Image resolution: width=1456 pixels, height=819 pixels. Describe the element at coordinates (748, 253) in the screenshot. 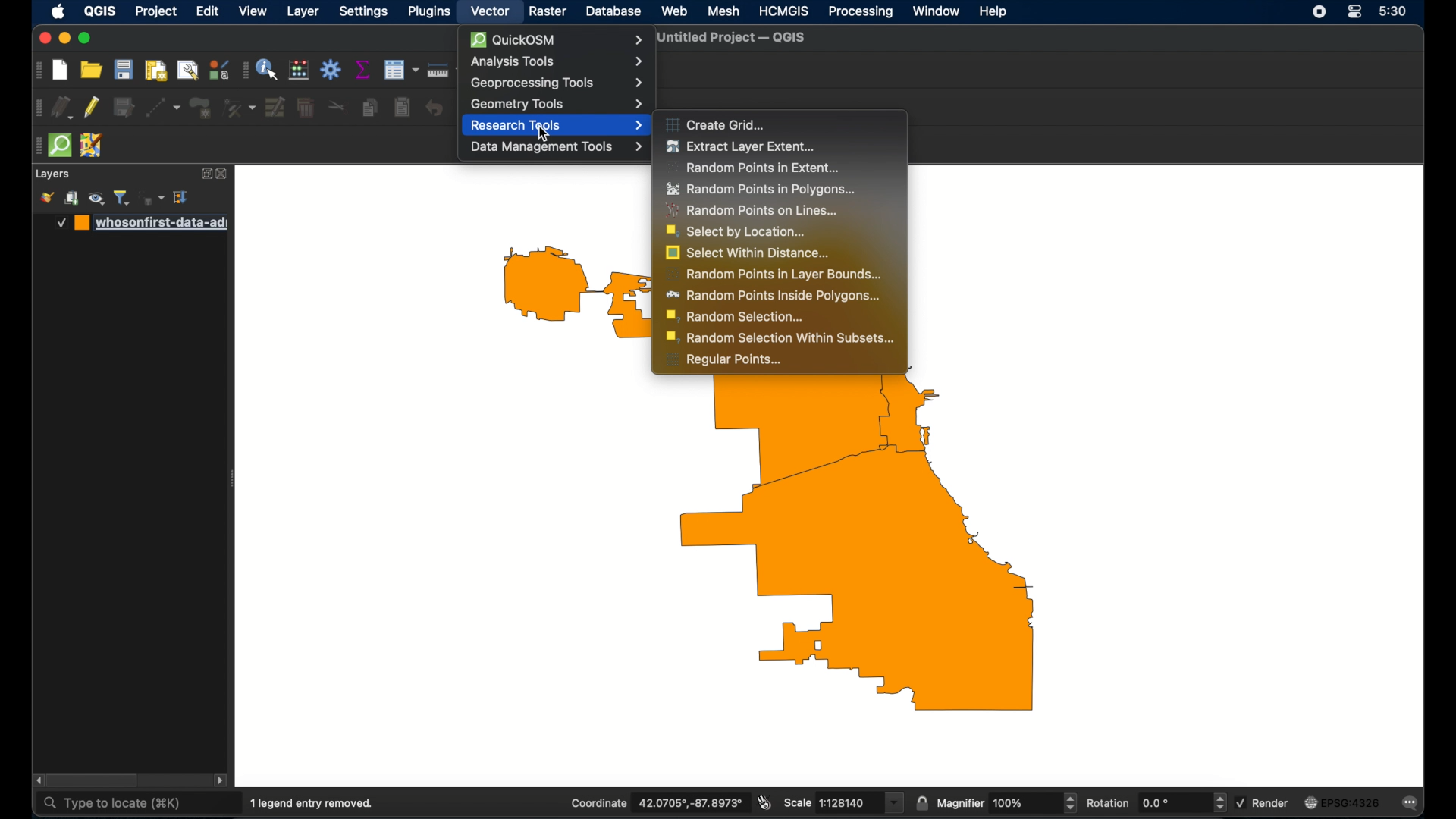

I see `select within distance` at that location.